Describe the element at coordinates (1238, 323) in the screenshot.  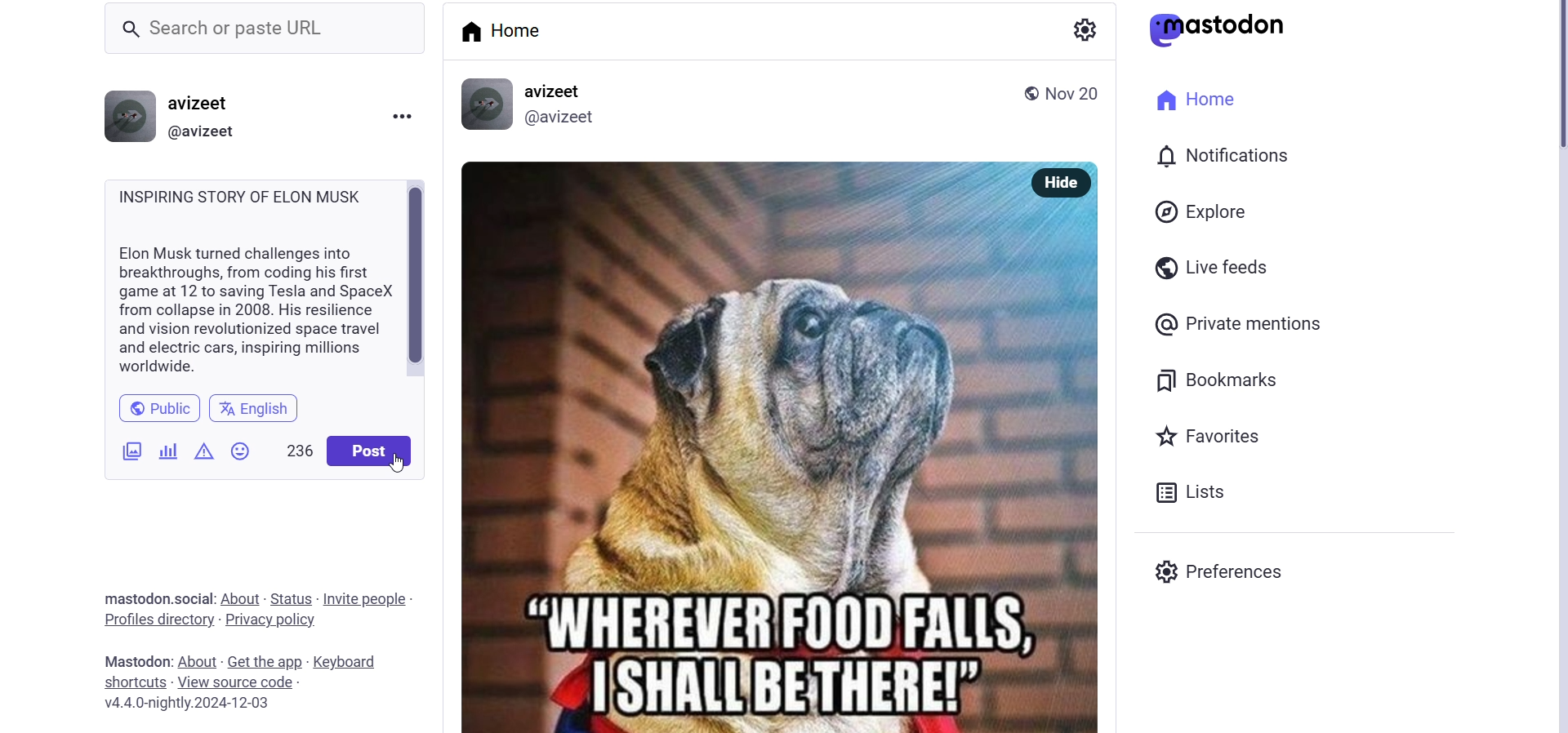
I see `private mentions` at that location.